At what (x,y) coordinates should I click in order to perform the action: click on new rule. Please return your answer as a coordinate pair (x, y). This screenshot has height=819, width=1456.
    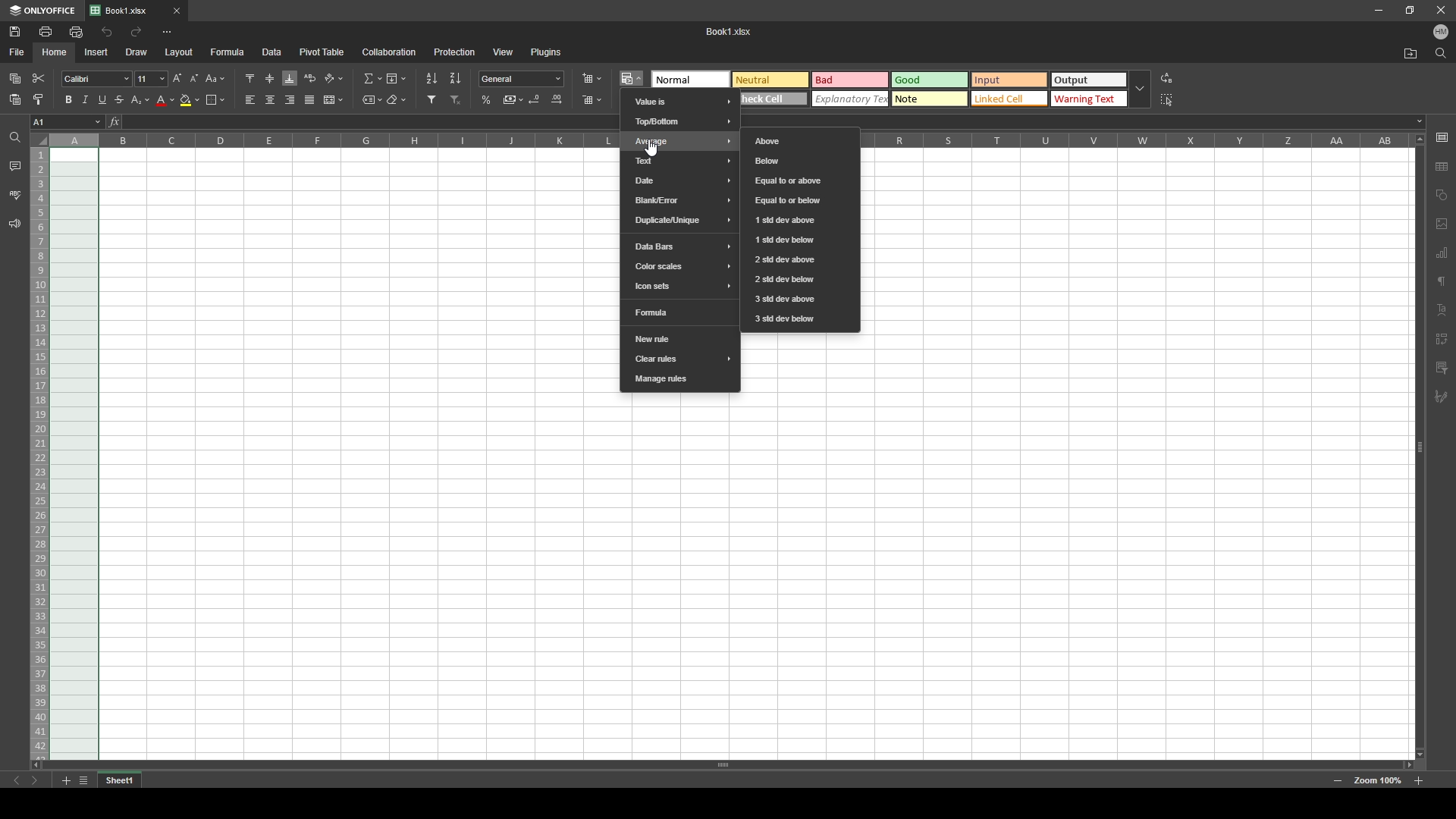
    Looking at the image, I should click on (679, 337).